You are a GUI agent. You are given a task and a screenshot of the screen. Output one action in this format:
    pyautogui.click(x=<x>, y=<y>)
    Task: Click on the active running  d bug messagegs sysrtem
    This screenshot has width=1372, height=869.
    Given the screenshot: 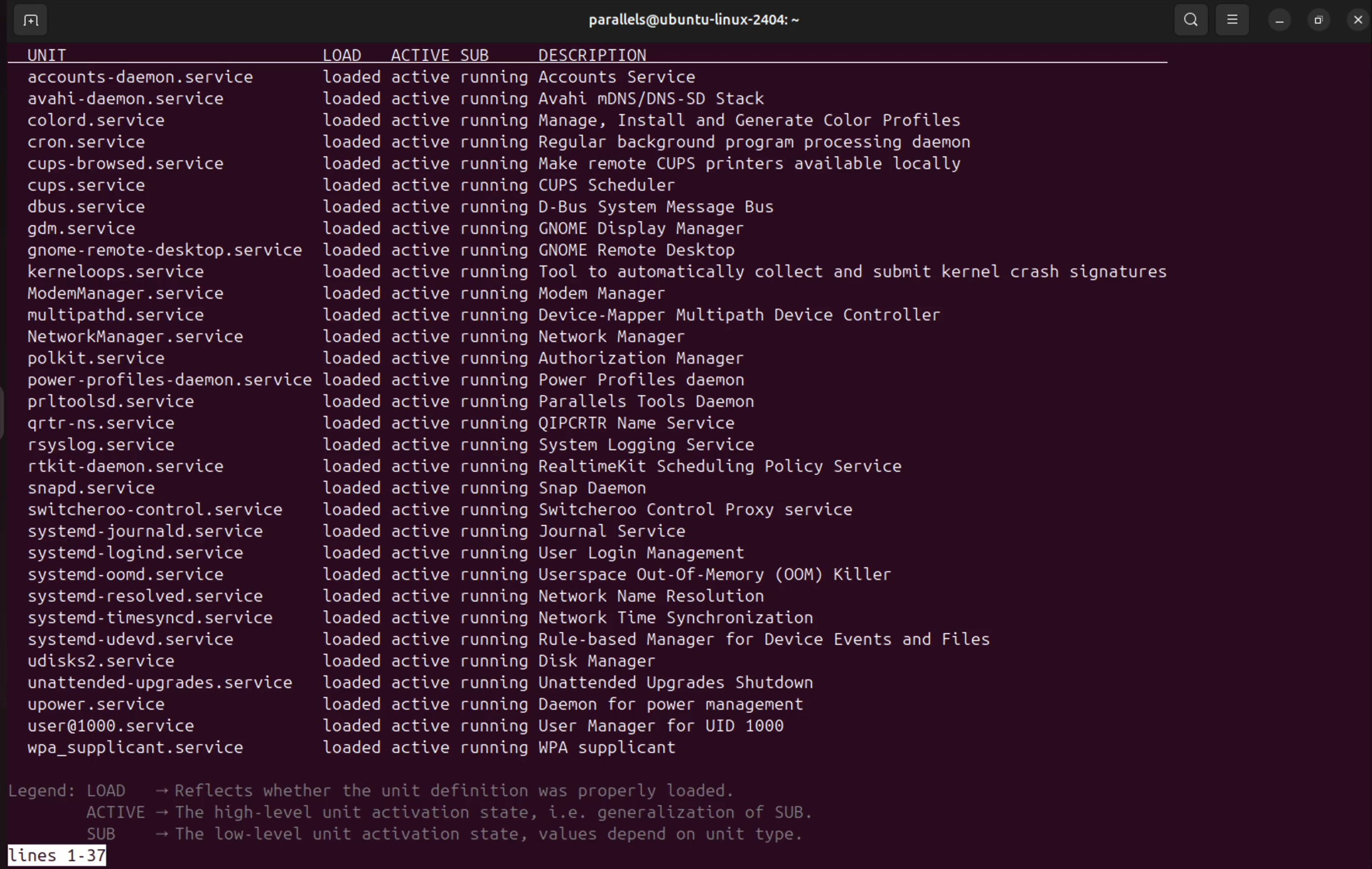 What is the action you would take?
    pyautogui.click(x=619, y=209)
    